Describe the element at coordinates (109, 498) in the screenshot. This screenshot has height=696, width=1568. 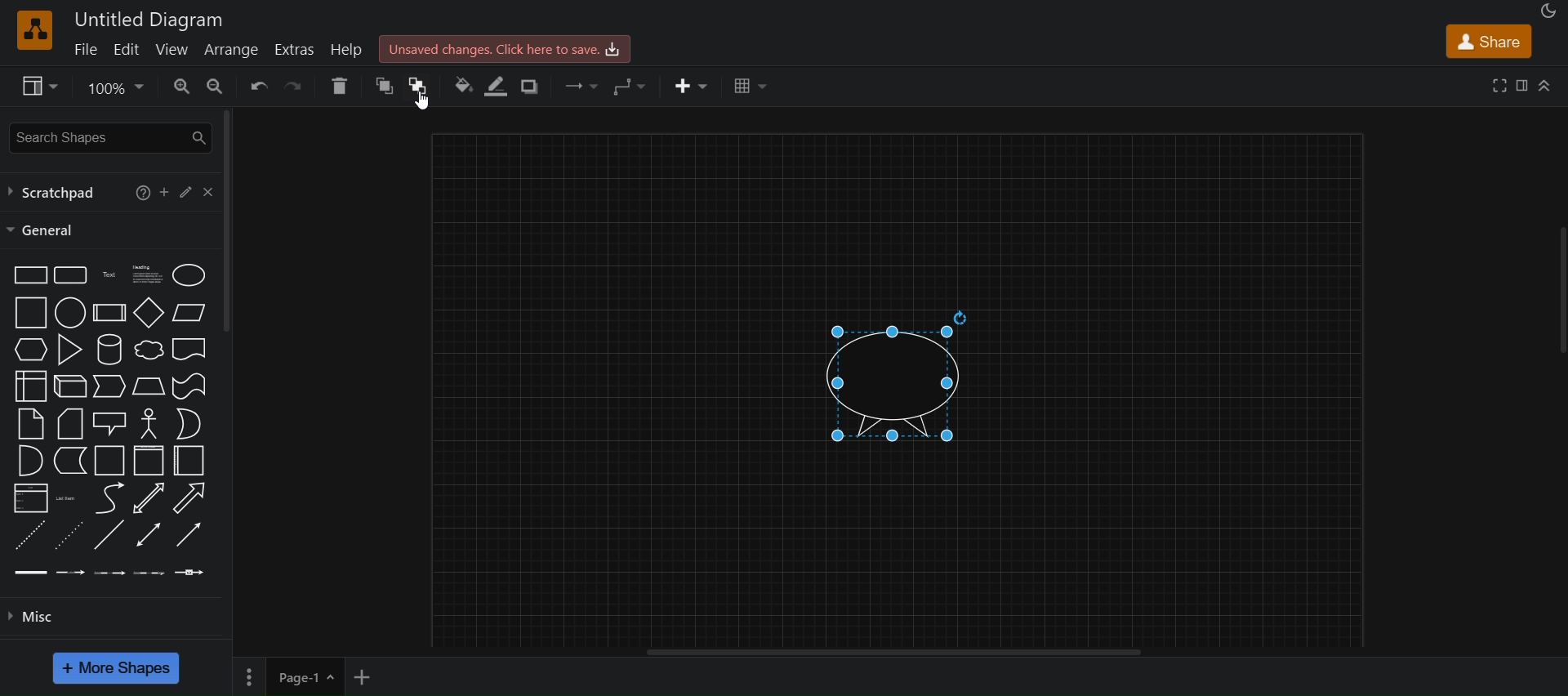
I see `curve` at that location.